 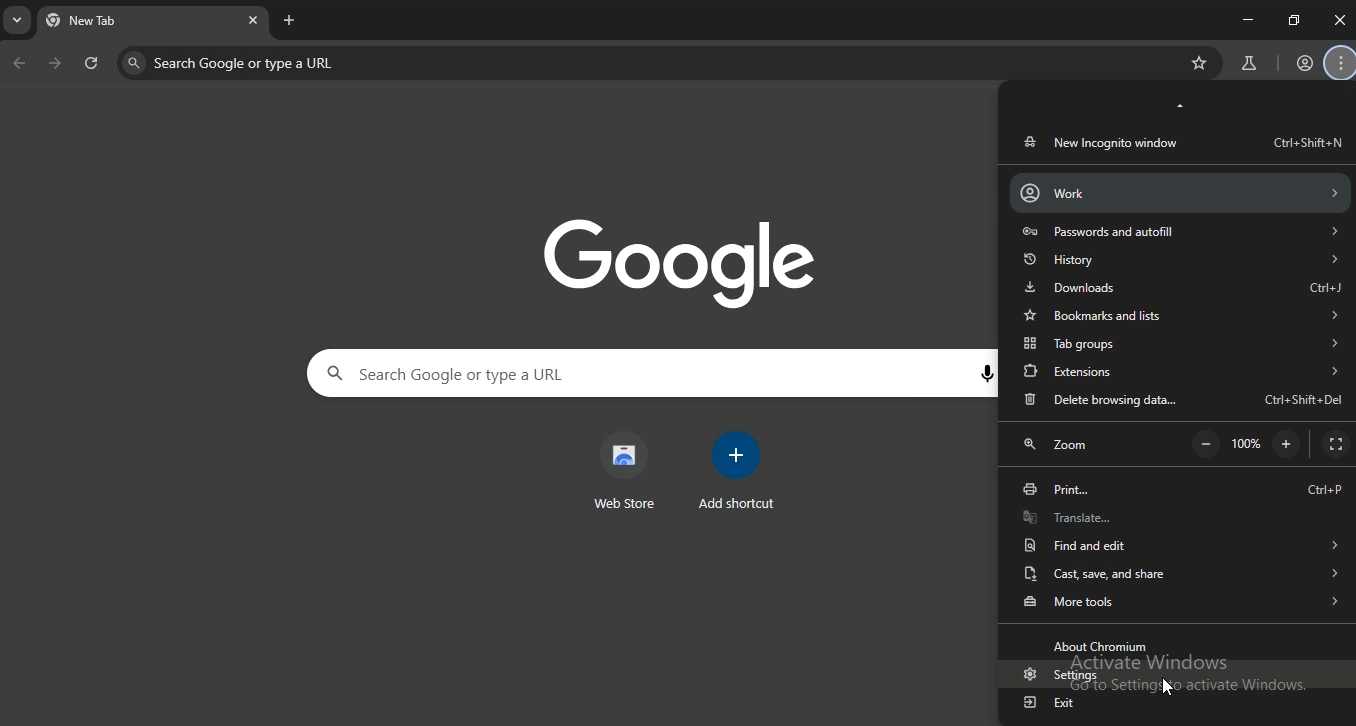 I want to click on bookmarks and lists, so click(x=1179, y=315).